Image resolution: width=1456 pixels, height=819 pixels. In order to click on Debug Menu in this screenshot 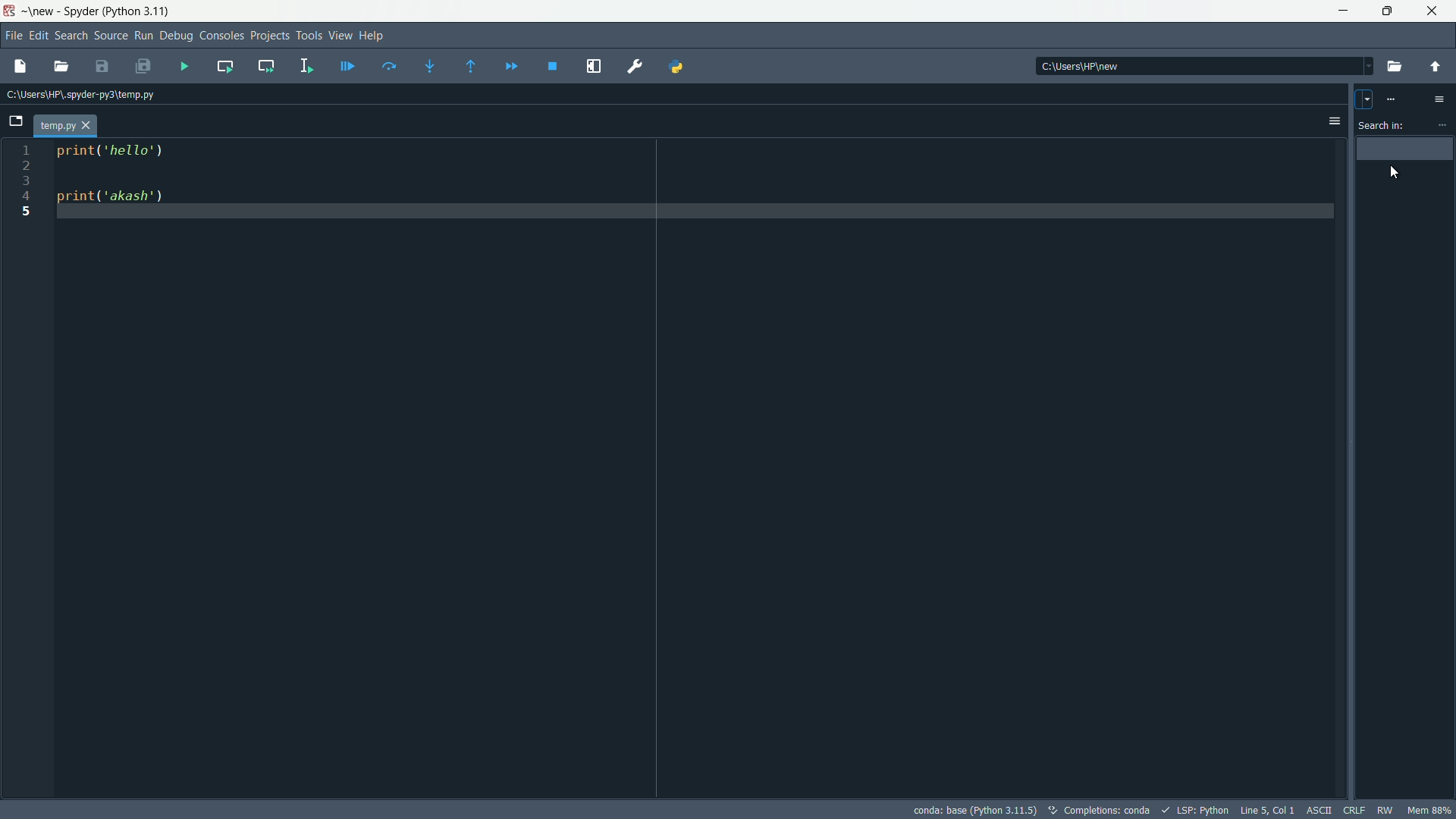, I will do `click(175, 37)`.